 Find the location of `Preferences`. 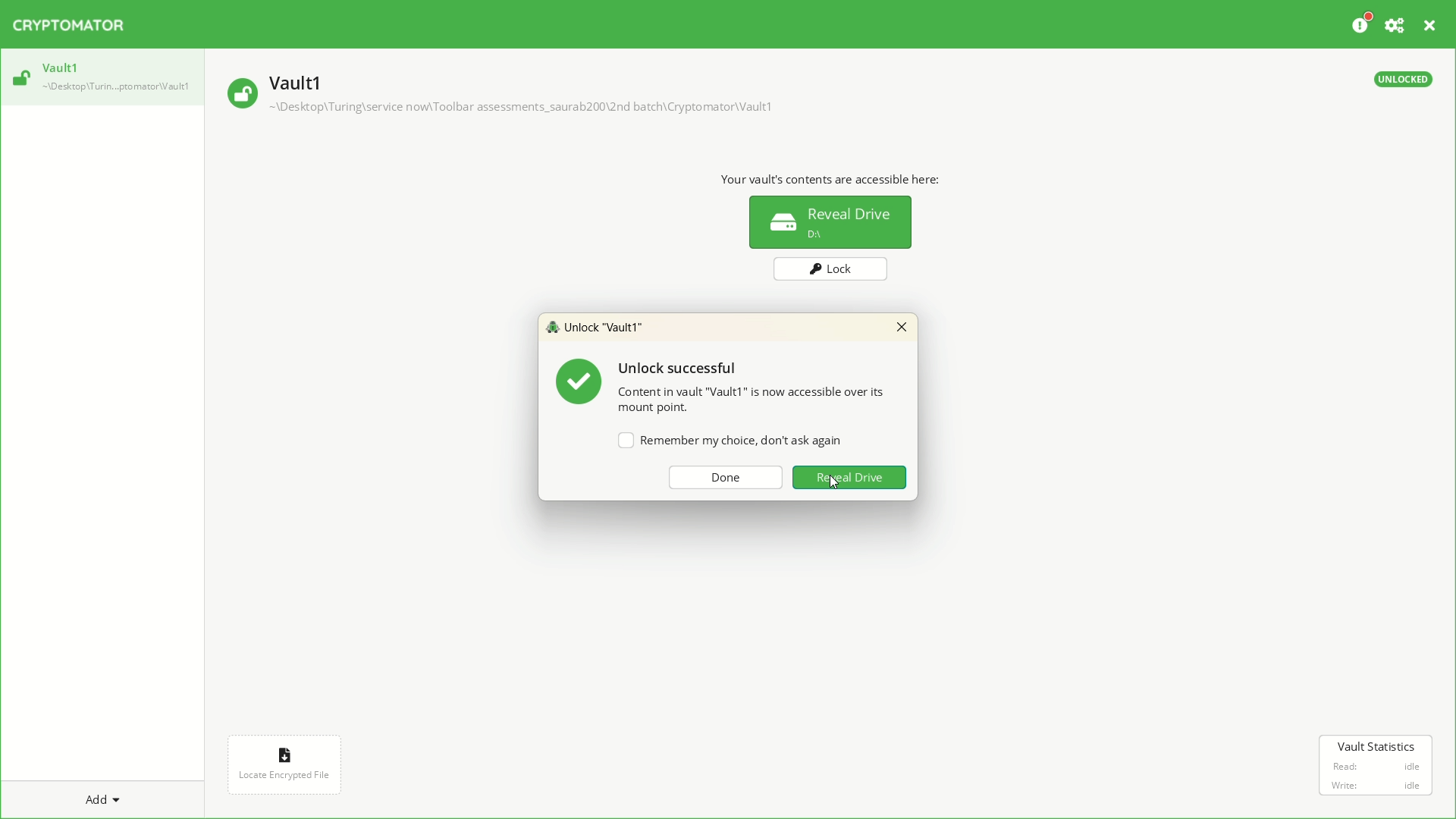

Preferences is located at coordinates (1398, 27).